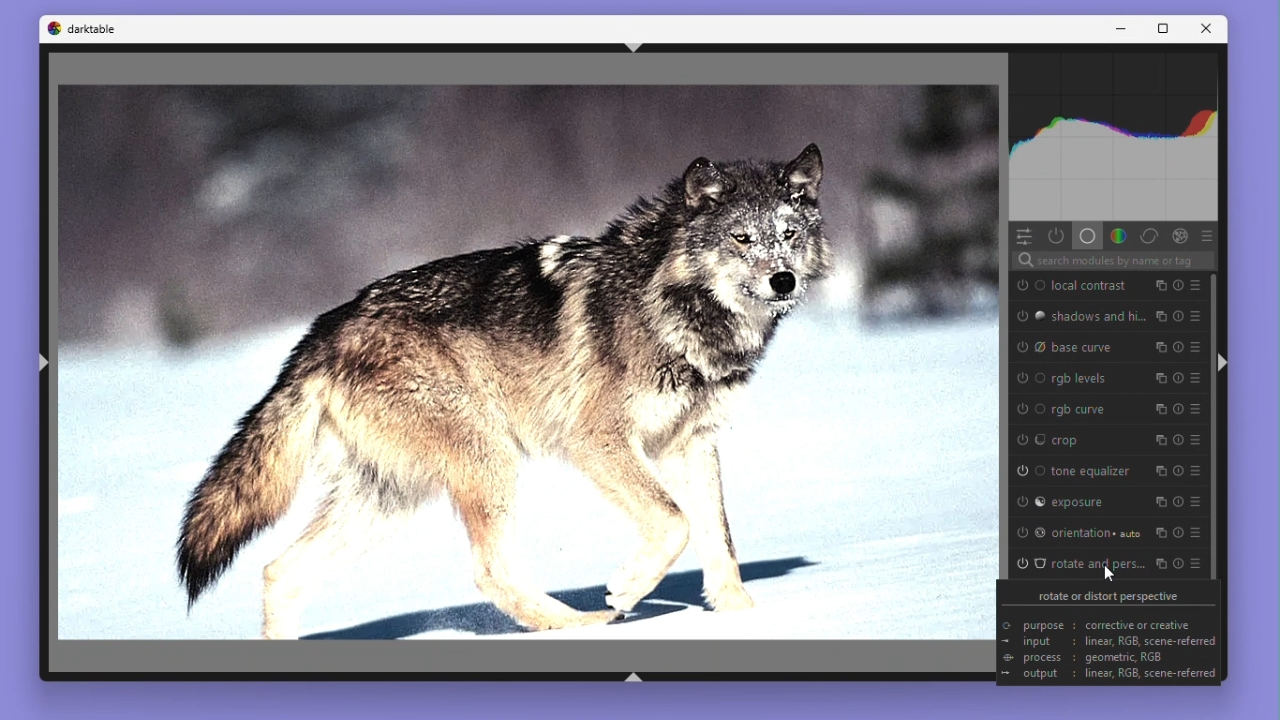 This screenshot has width=1280, height=720. Describe the element at coordinates (1025, 234) in the screenshot. I see `quick access panel` at that location.